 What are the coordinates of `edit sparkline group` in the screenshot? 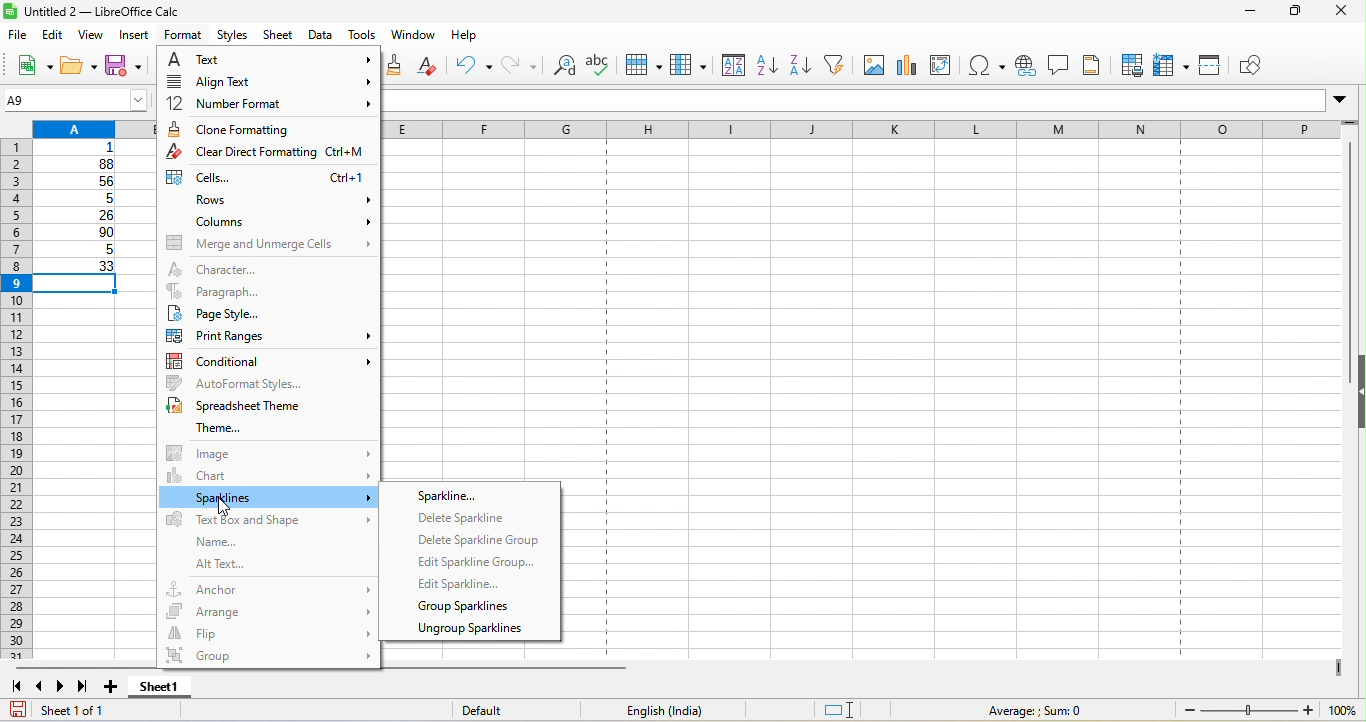 It's located at (474, 561).